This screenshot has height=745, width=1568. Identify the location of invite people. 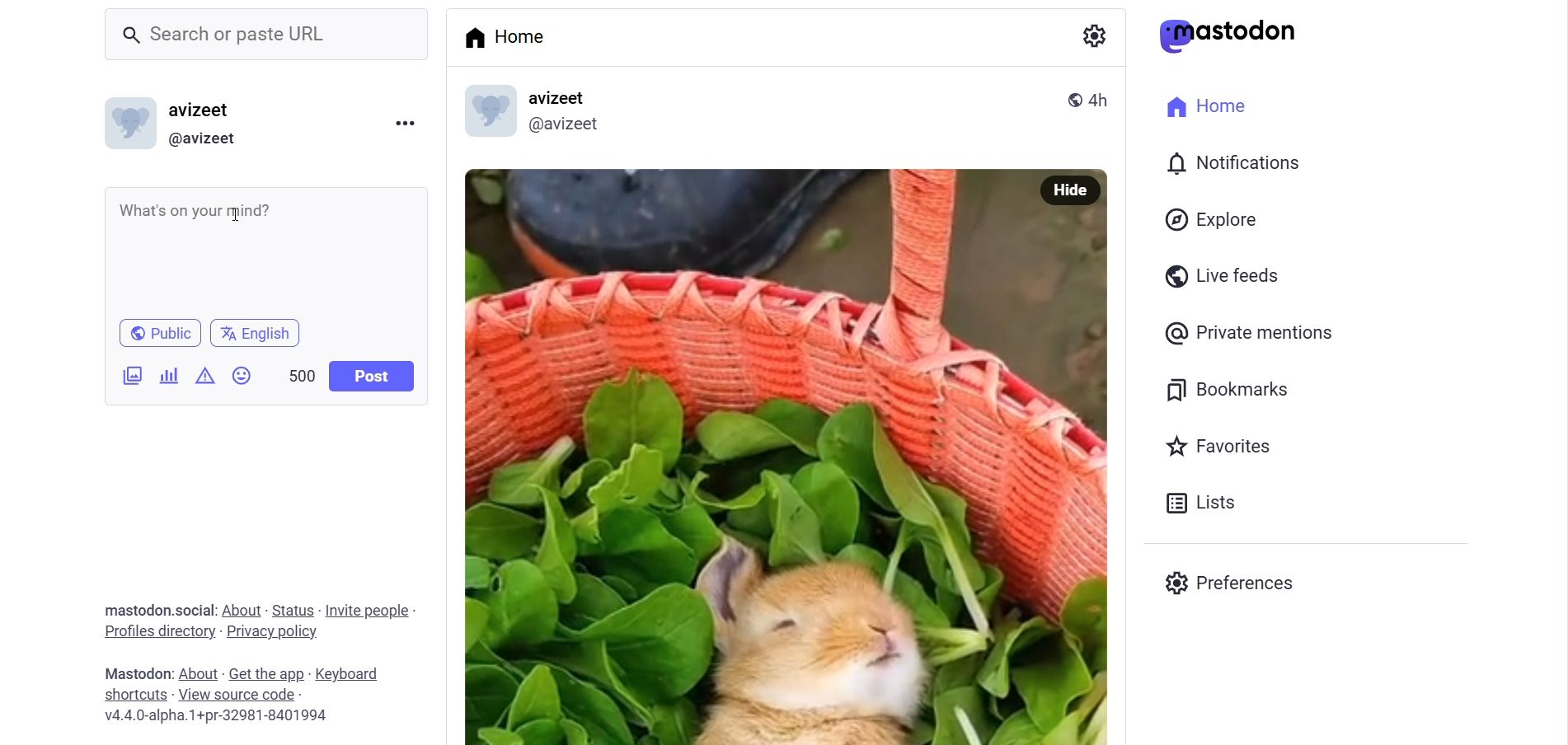
(373, 608).